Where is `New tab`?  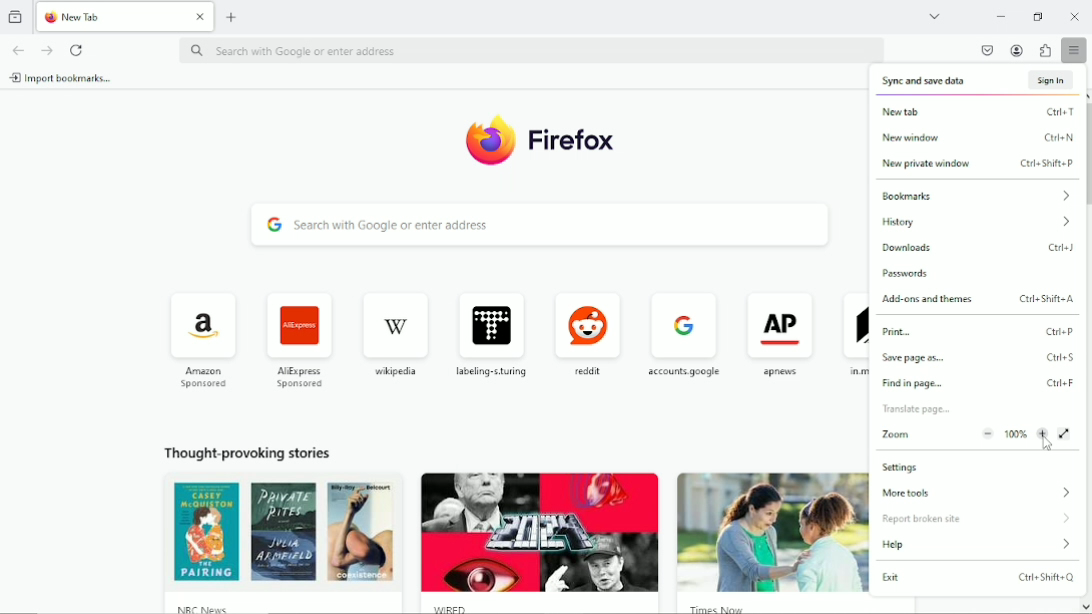
New tab is located at coordinates (232, 17).